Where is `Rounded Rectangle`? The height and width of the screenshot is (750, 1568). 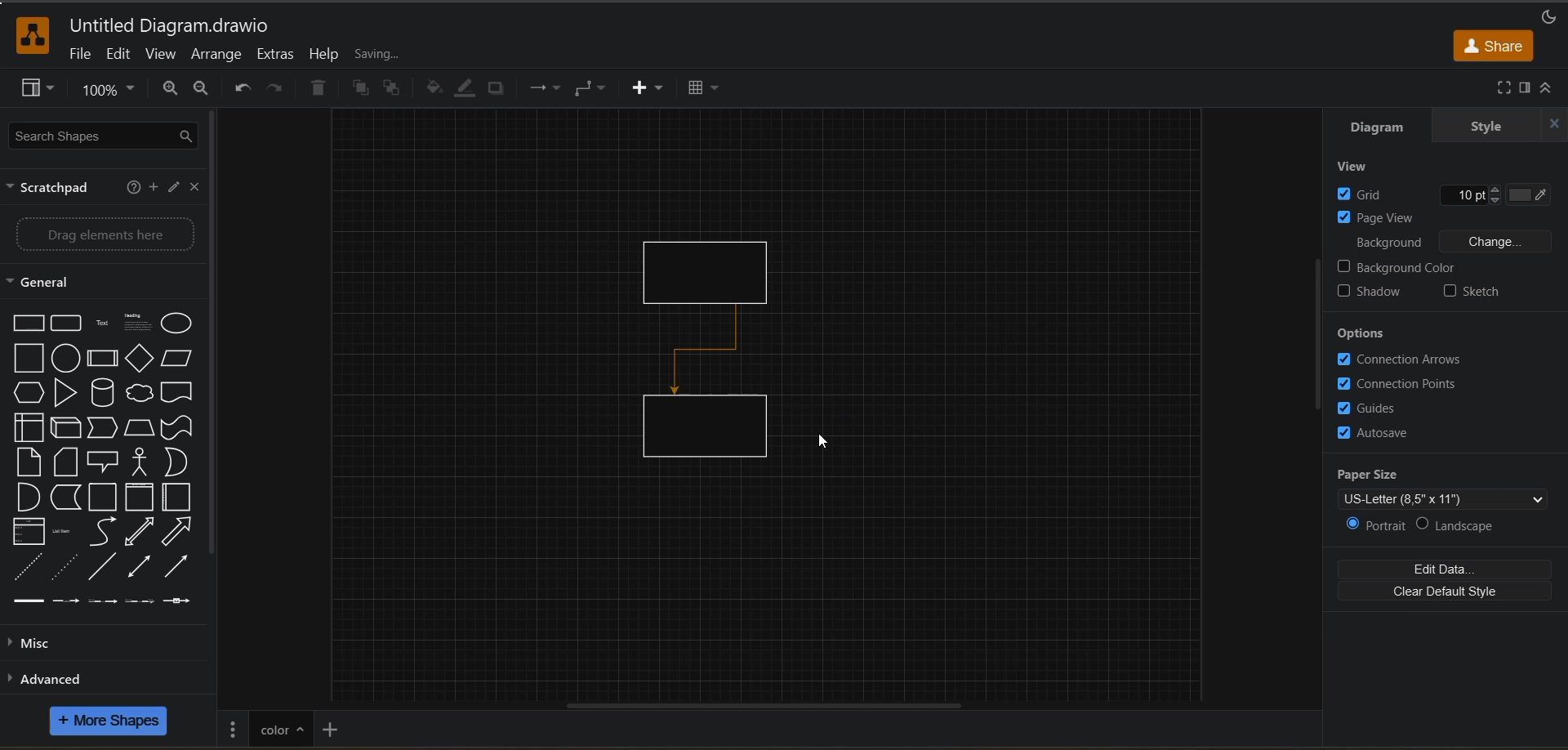 Rounded Rectangle is located at coordinates (68, 323).